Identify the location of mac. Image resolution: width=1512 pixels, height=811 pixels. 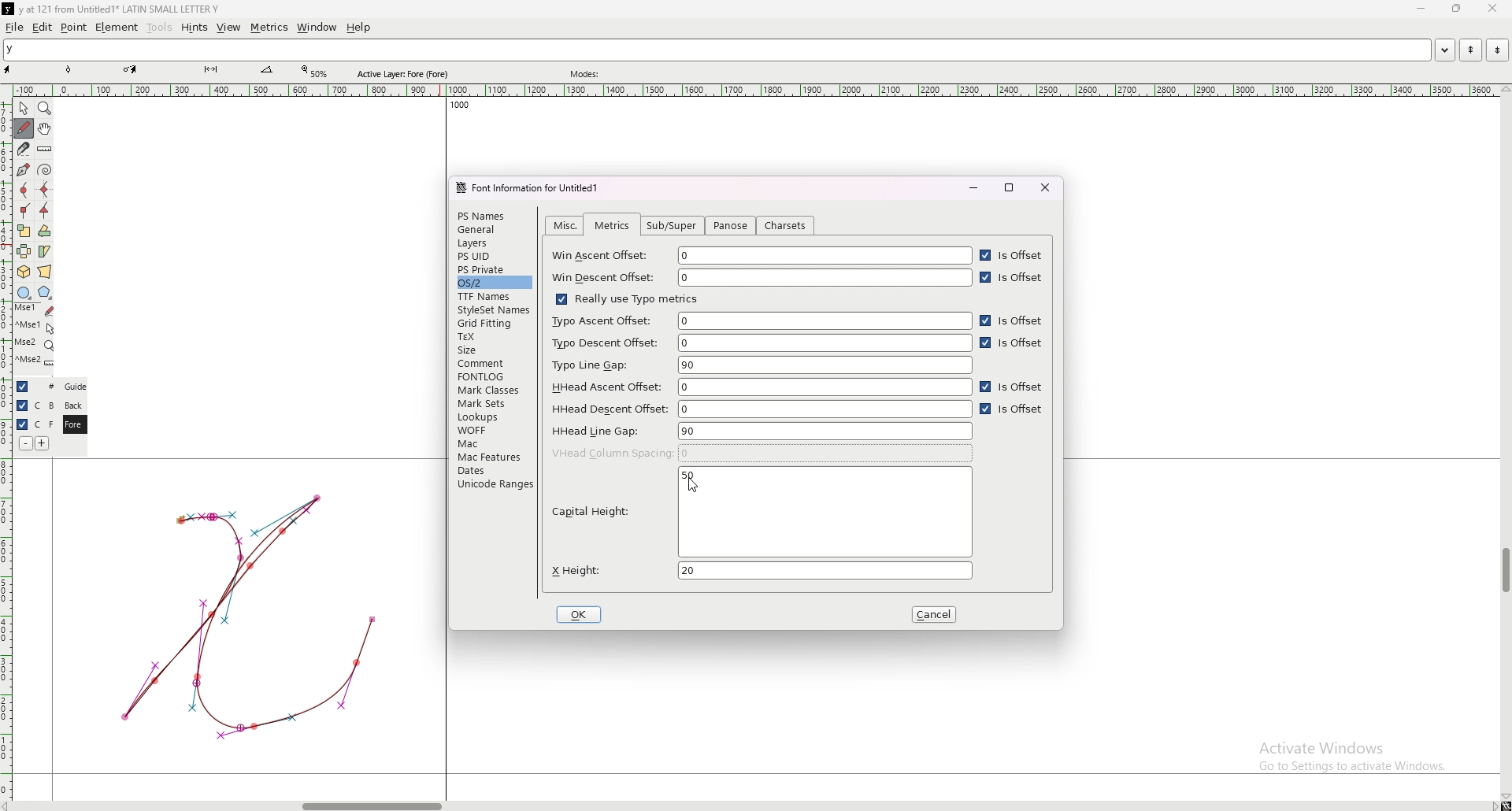
(492, 443).